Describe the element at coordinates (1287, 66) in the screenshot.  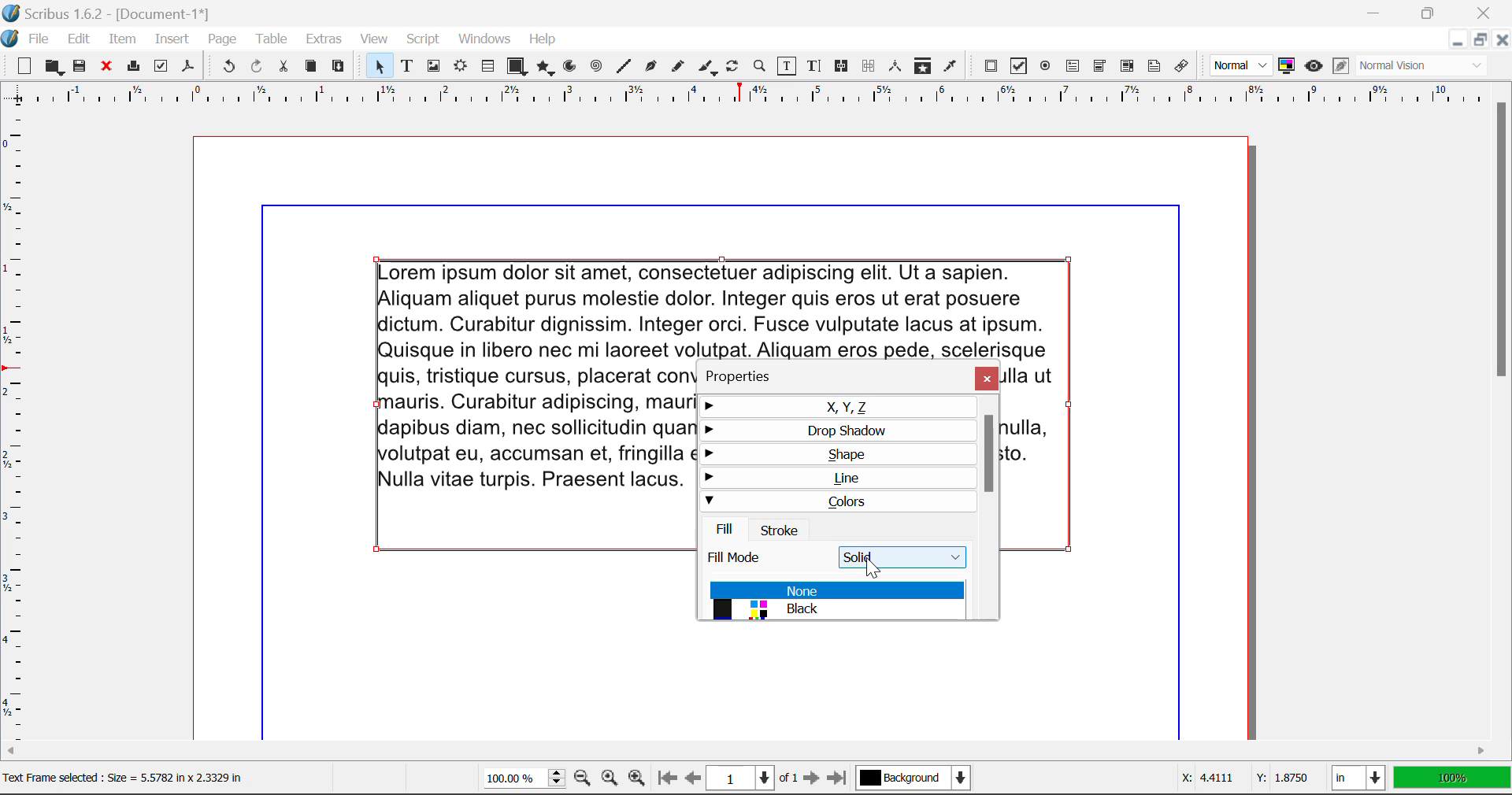
I see `Toggle Color Management` at that location.